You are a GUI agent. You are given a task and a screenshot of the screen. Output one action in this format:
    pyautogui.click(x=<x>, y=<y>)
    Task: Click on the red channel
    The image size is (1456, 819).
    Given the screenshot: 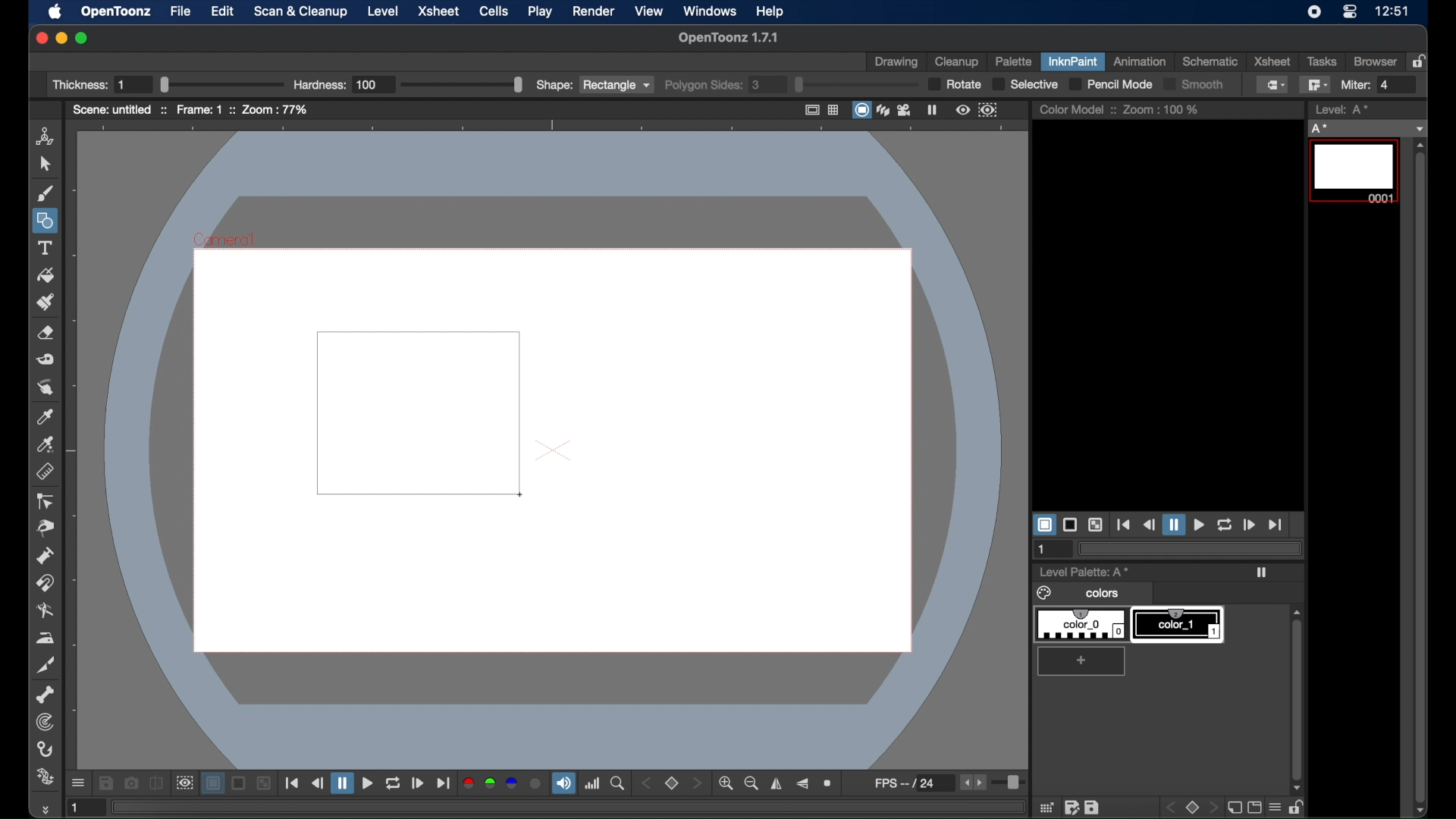 What is the action you would take?
    pyautogui.click(x=468, y=783)
    